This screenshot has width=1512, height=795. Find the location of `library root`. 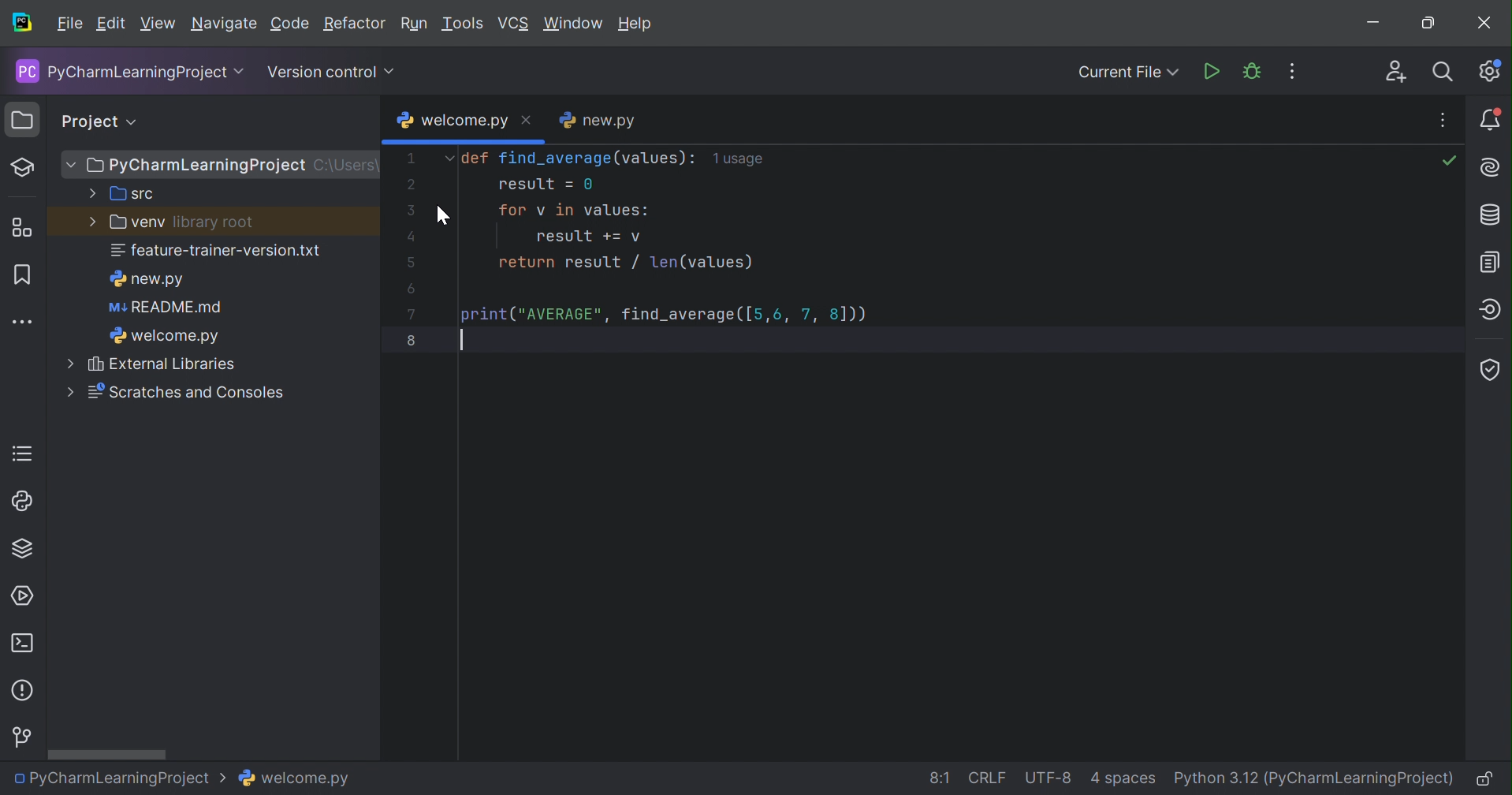

library root is located at coordinates (210, 222).